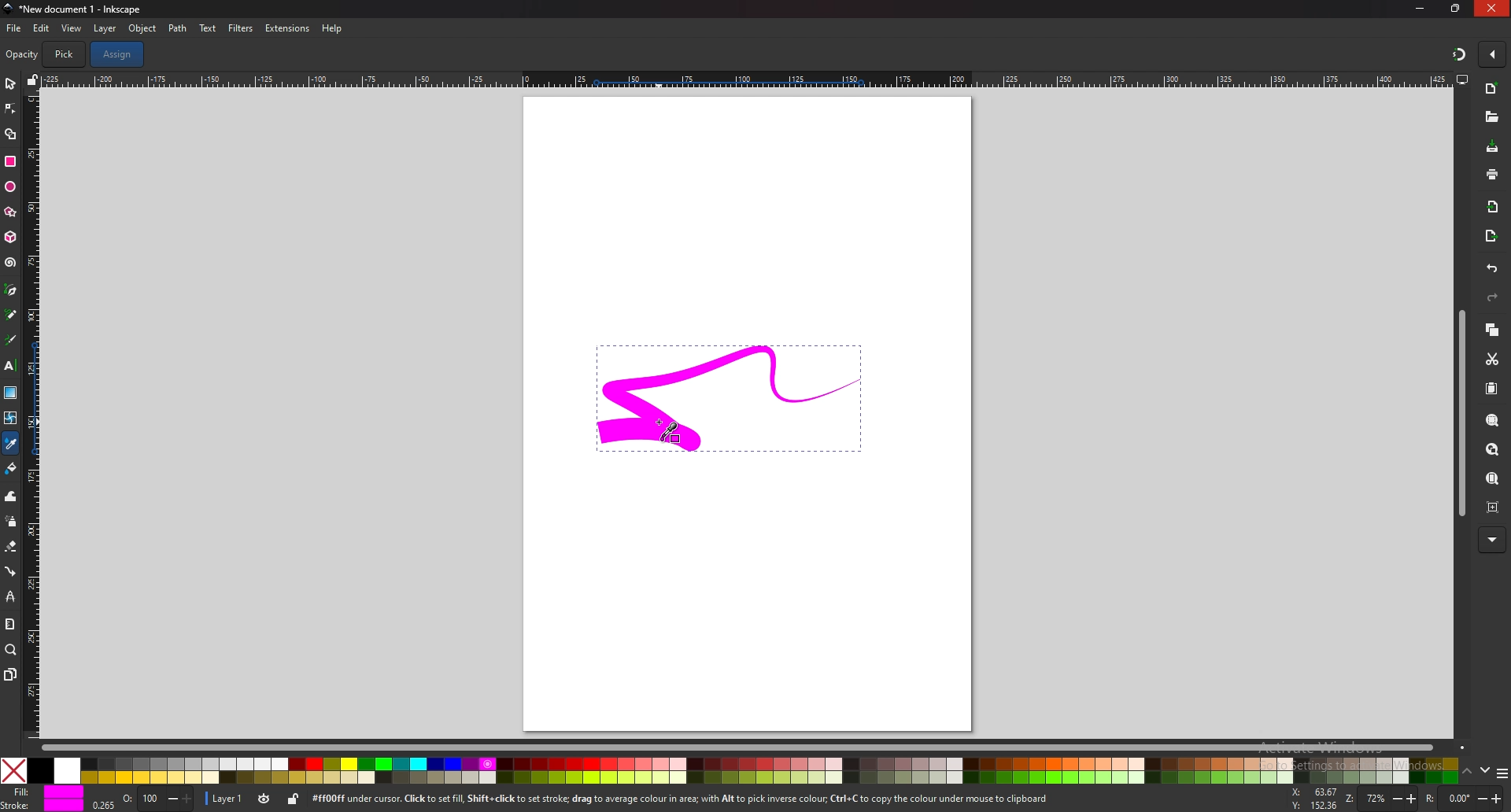  I want to click on more colors, so click(1502, 773).